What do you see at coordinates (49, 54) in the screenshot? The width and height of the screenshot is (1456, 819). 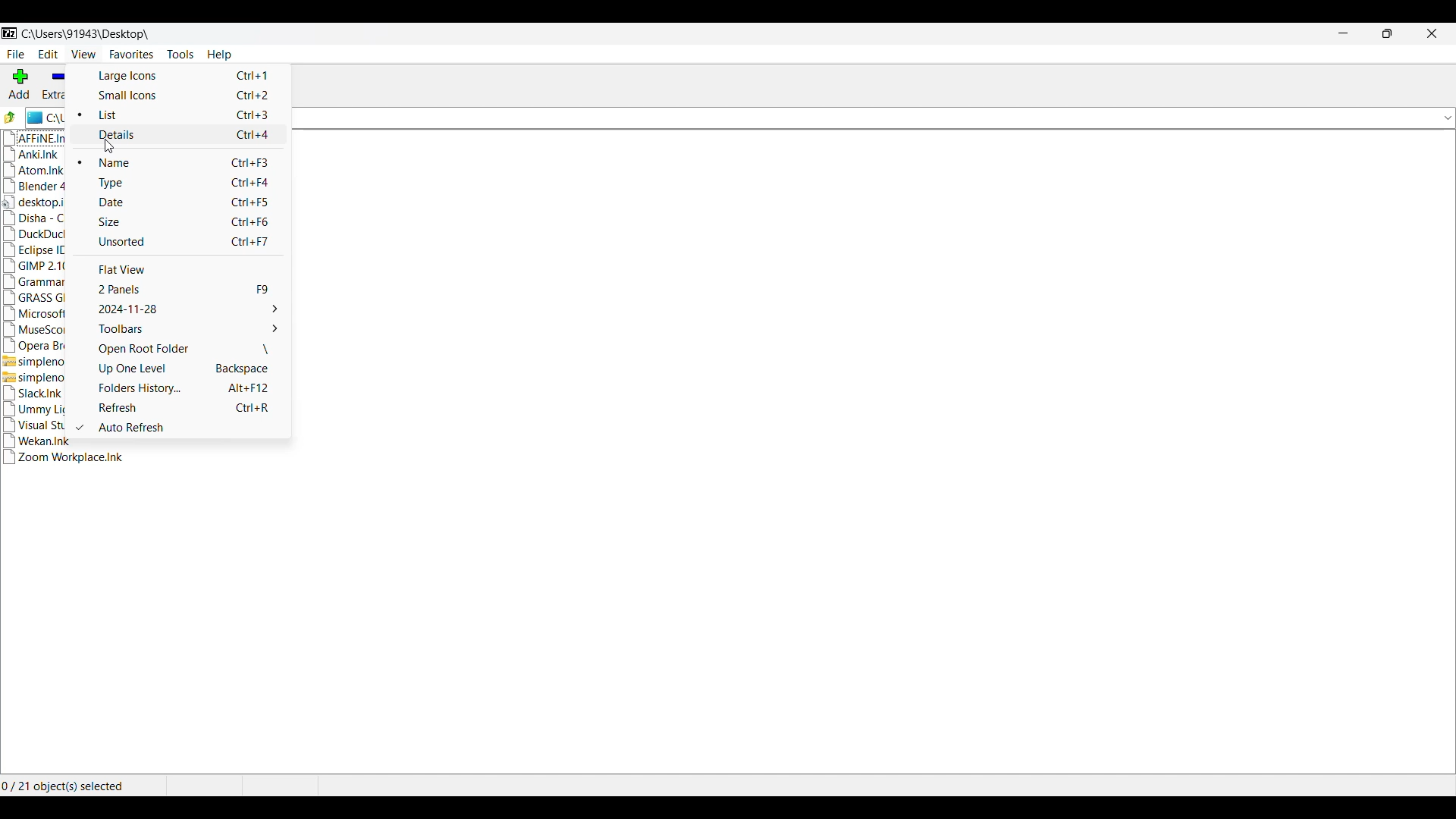 I see `Edit` at bounding box center [49, 54].